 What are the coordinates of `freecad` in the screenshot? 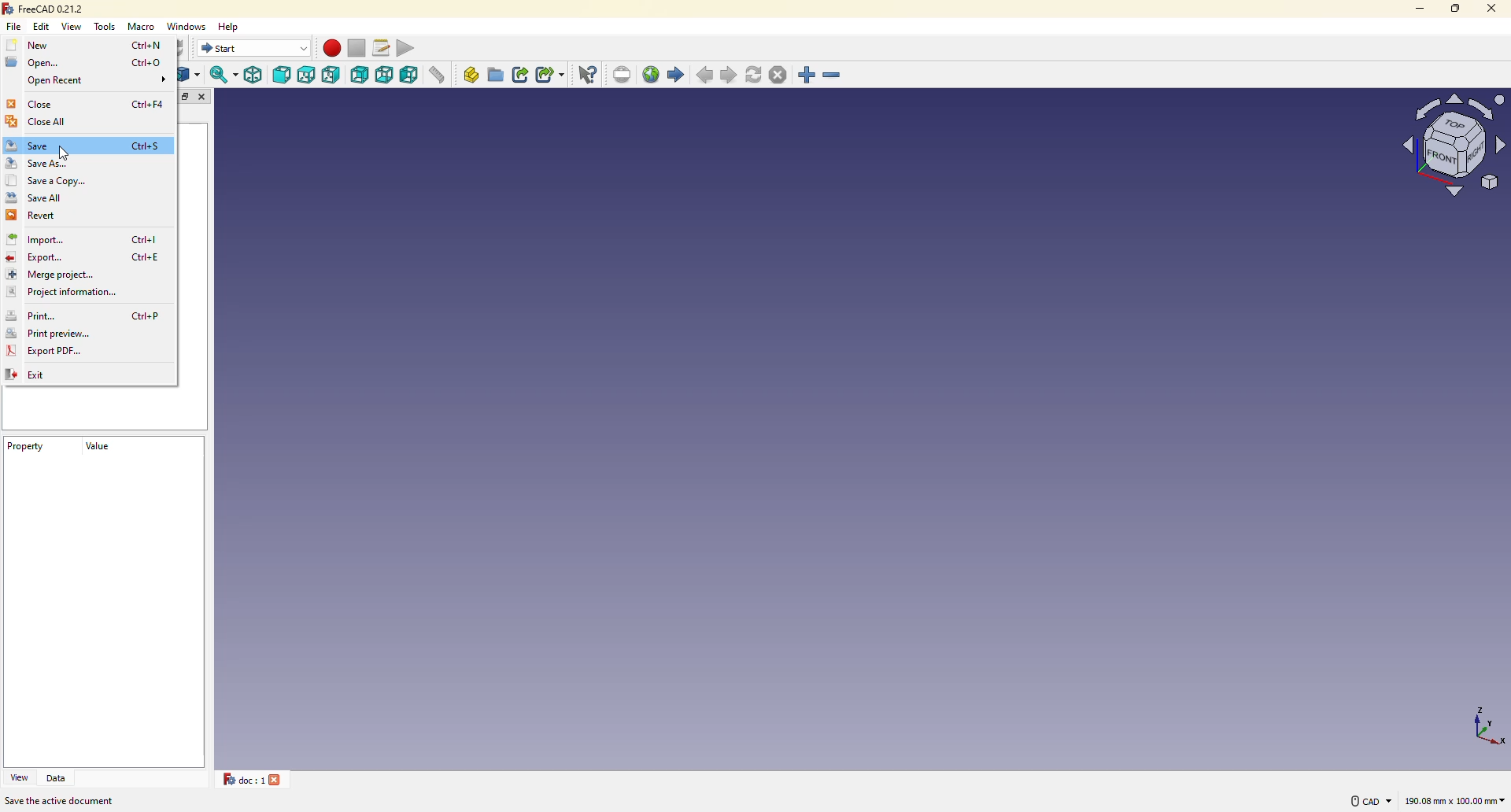 It's located at (45, 9).